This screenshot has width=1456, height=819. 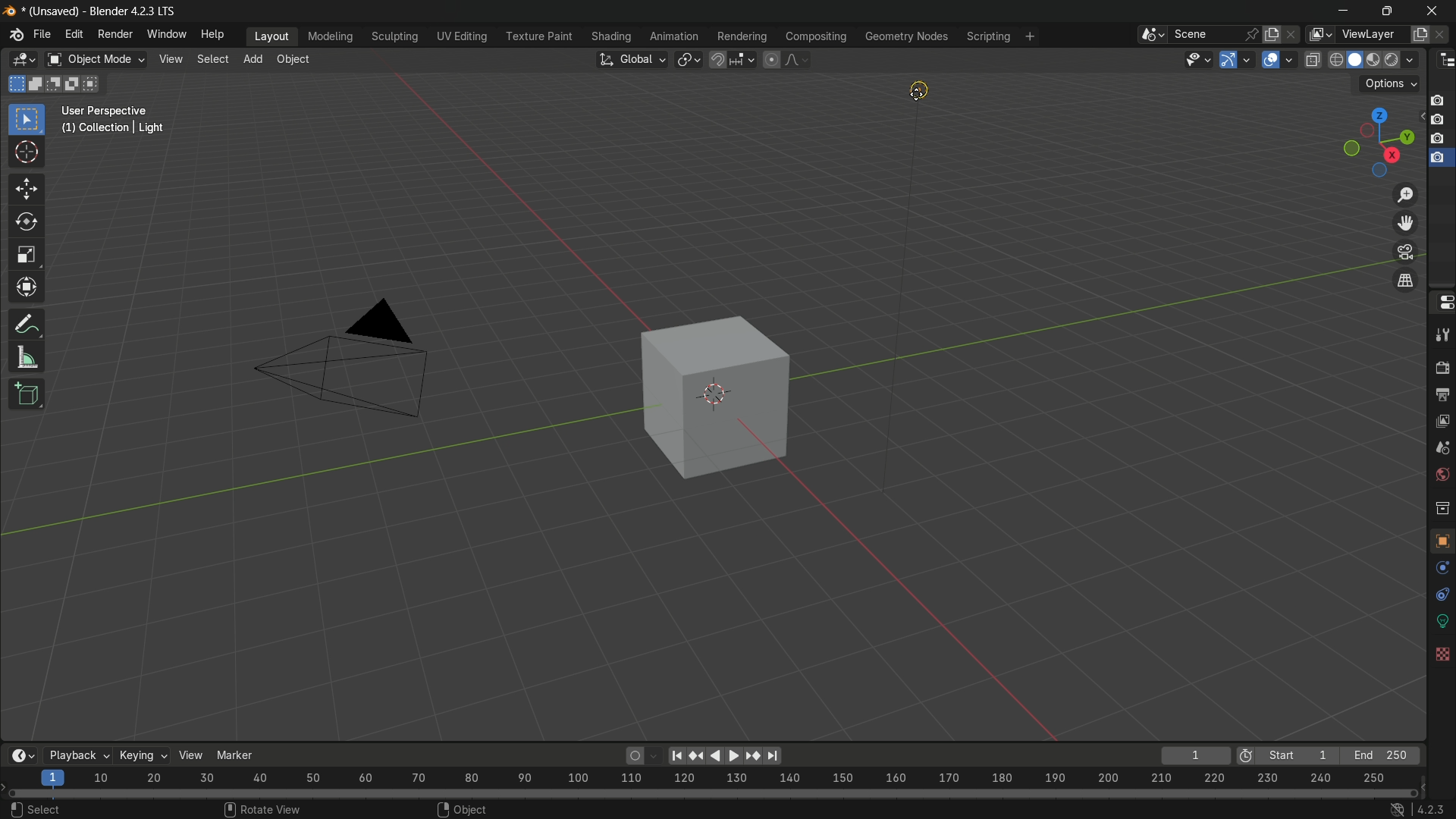 What do you see at coordinates (27, 394) in the screenshot?
I see `add cube` at bounding box center [27, 394].